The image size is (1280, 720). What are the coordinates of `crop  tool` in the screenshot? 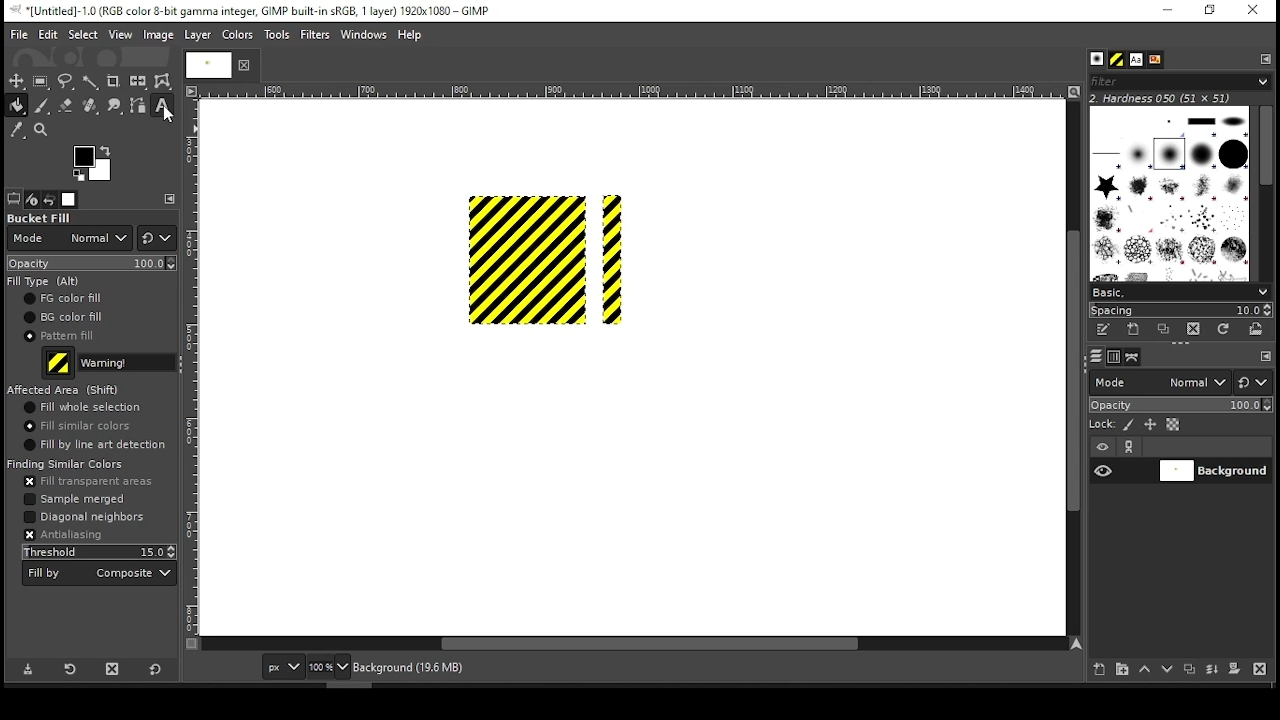 It's located at (113, 82).